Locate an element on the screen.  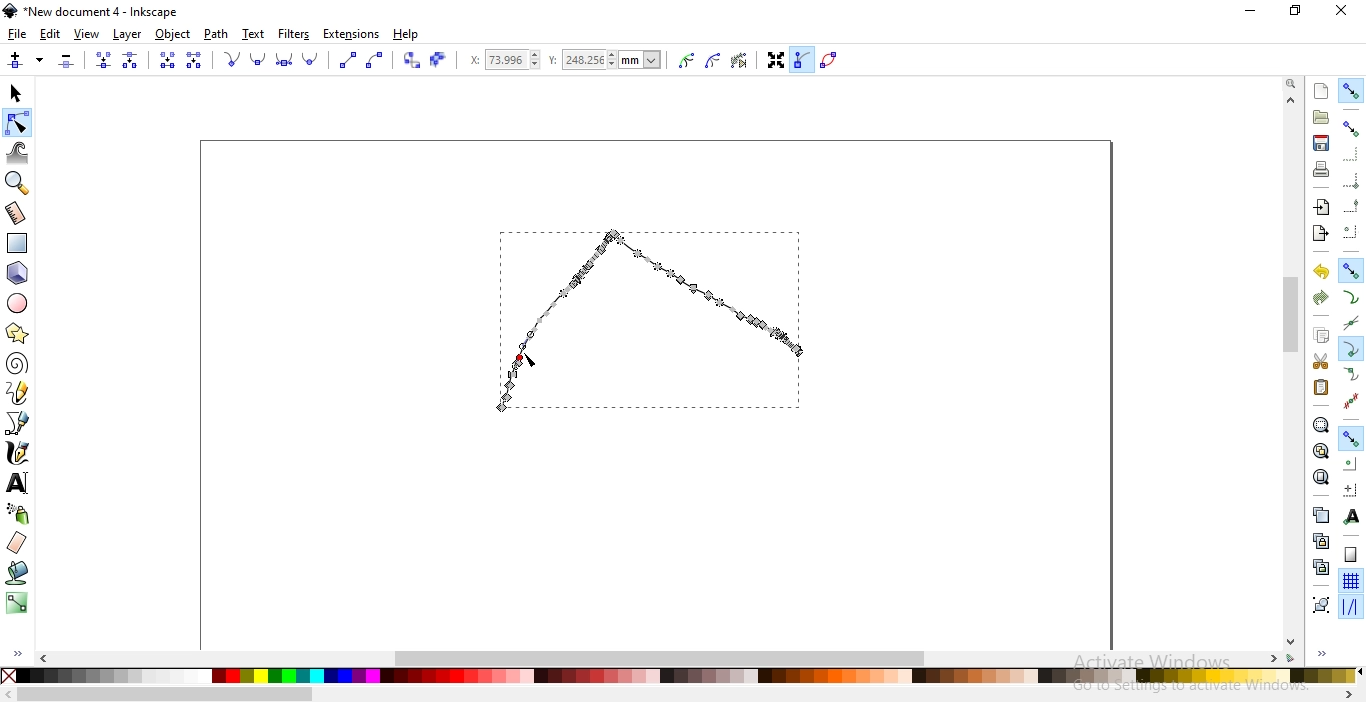
show masks of selected objects is located at coordinates (715, 61).